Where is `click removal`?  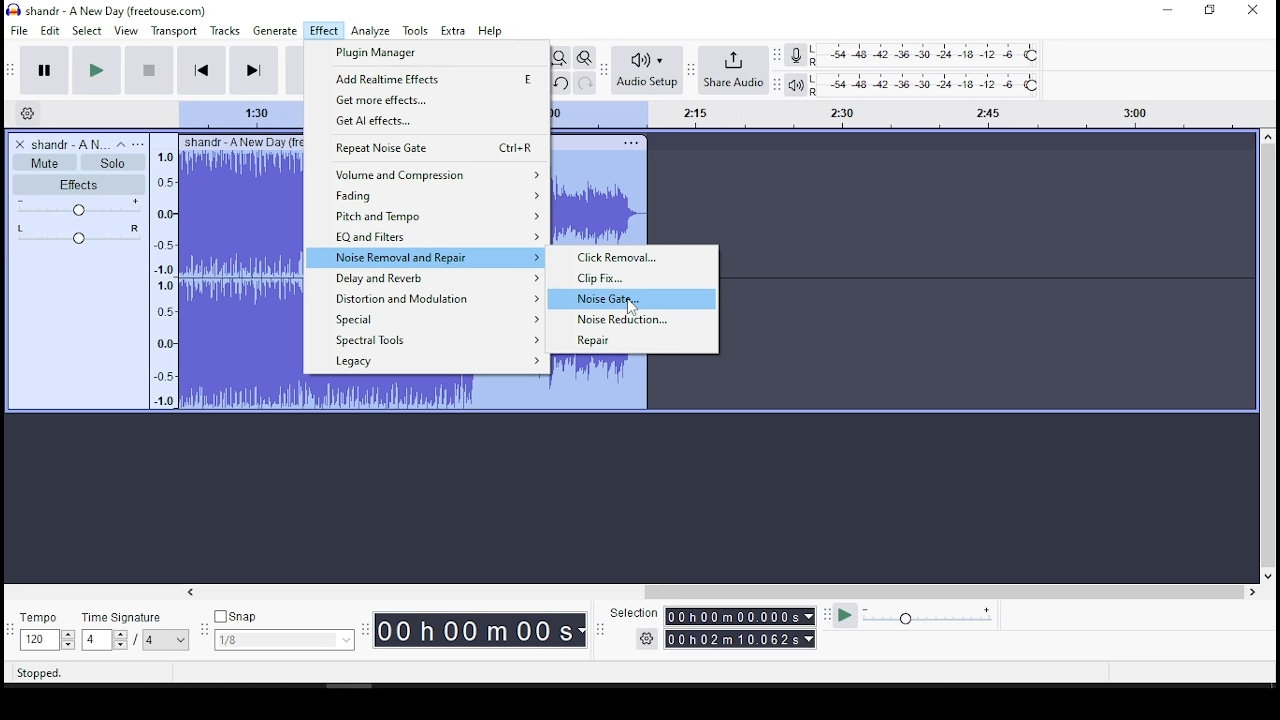
click removal is located at coordinates (636, 258).